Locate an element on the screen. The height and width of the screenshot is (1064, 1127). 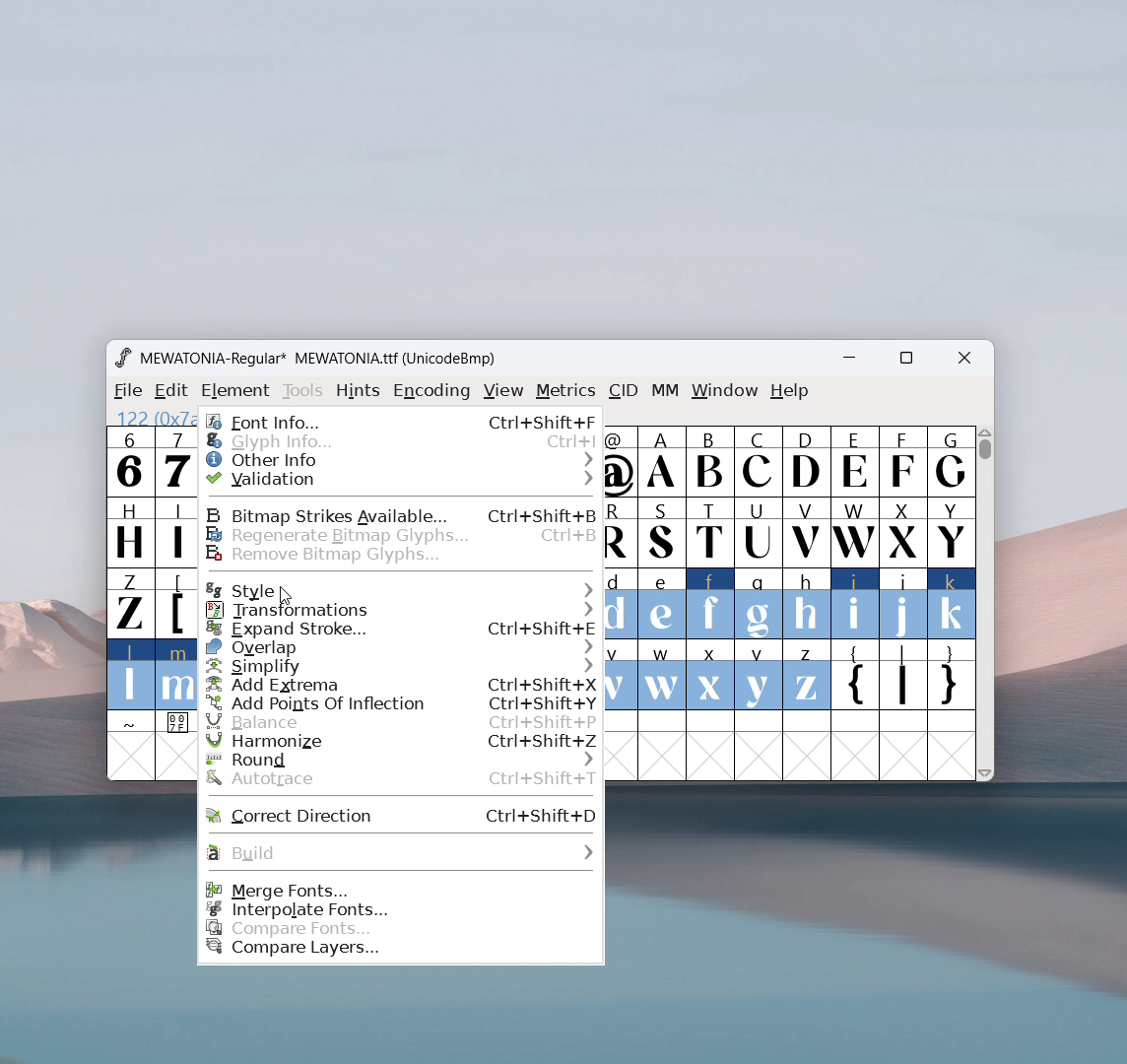
style is located at coordinates (401, 588).